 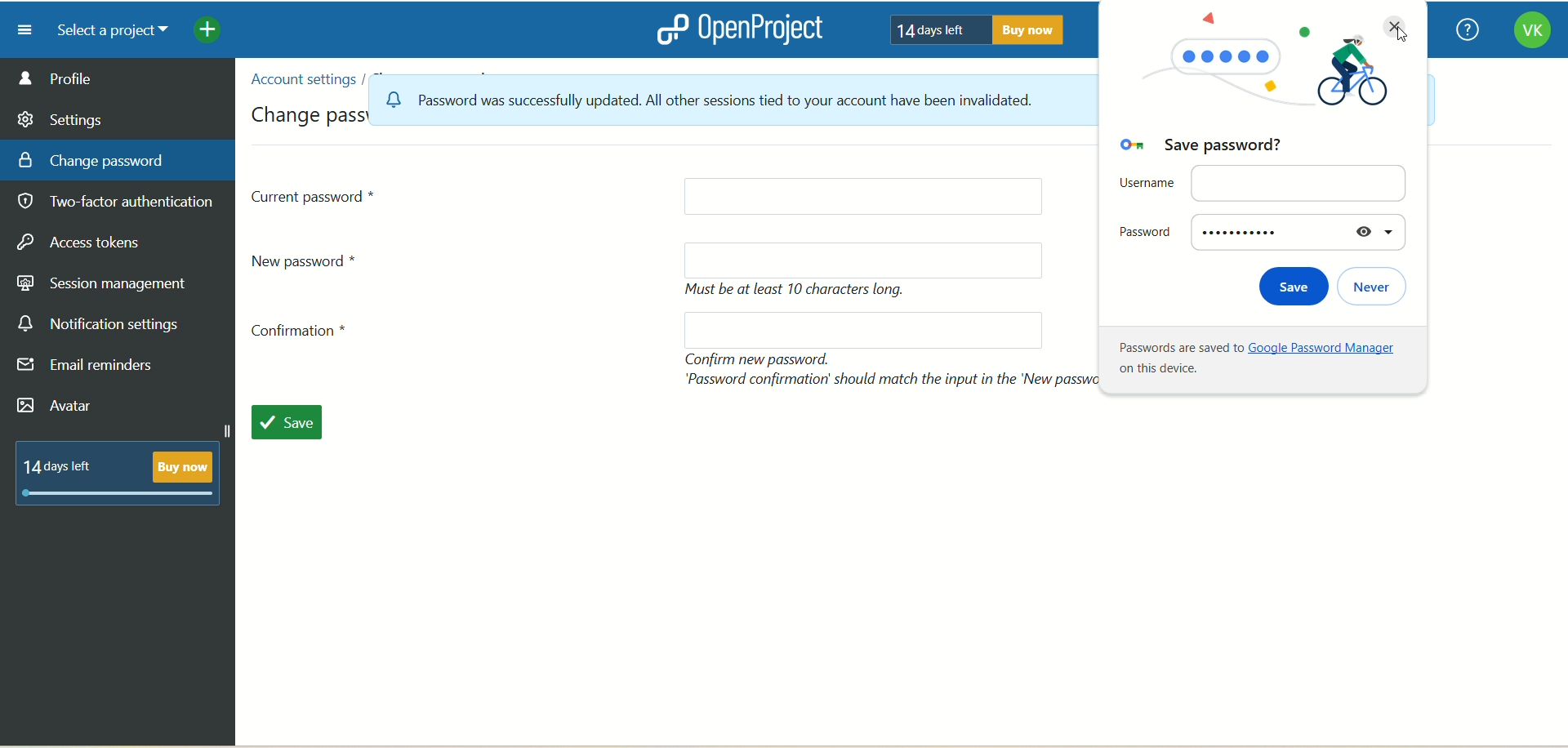 I want to click on change password, so click(x=91, y=159).